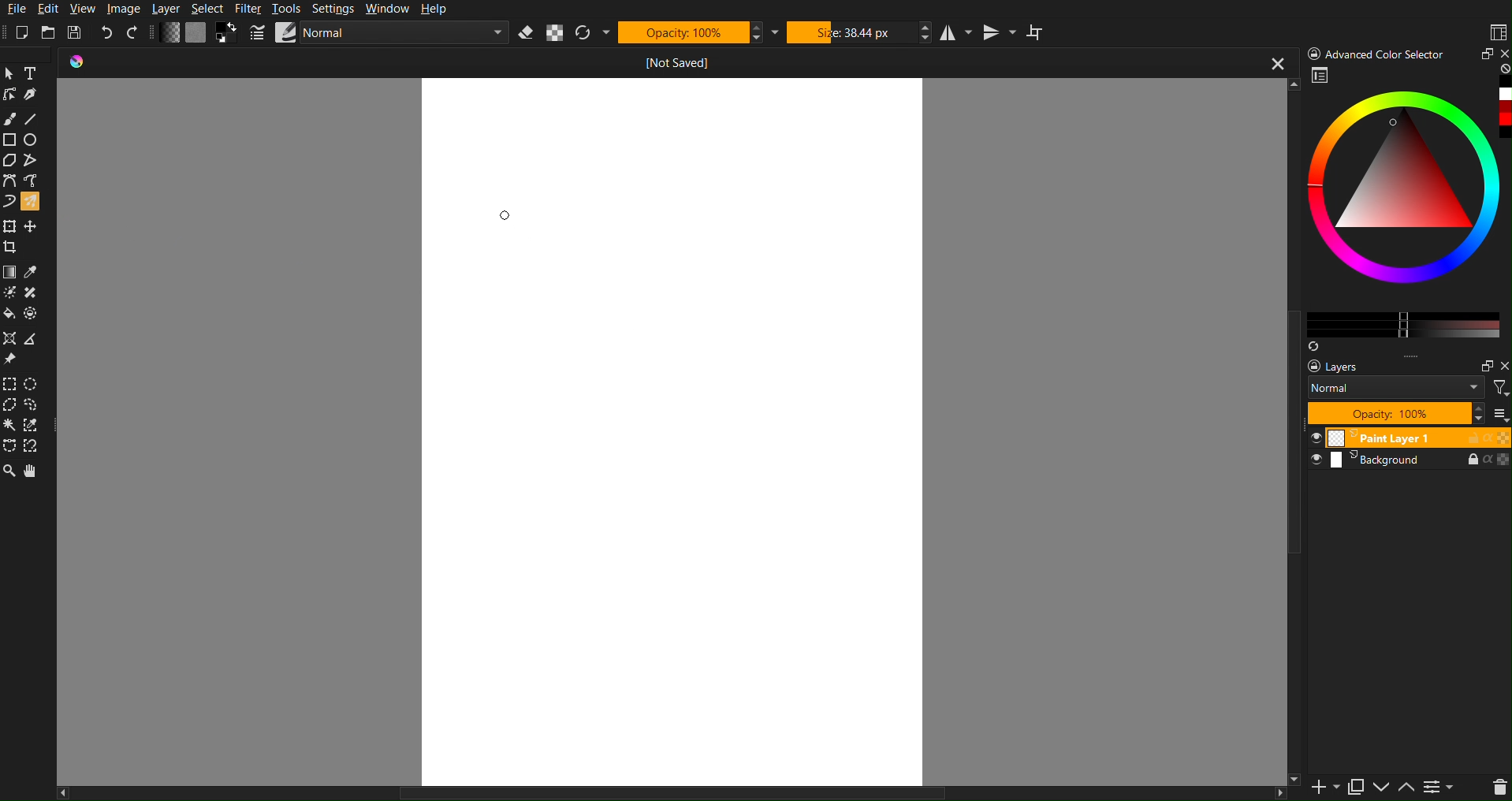  What do you see at coordinates (337, 7) in the screenshot?
I see `Settings` at bounding box center [337, 7].